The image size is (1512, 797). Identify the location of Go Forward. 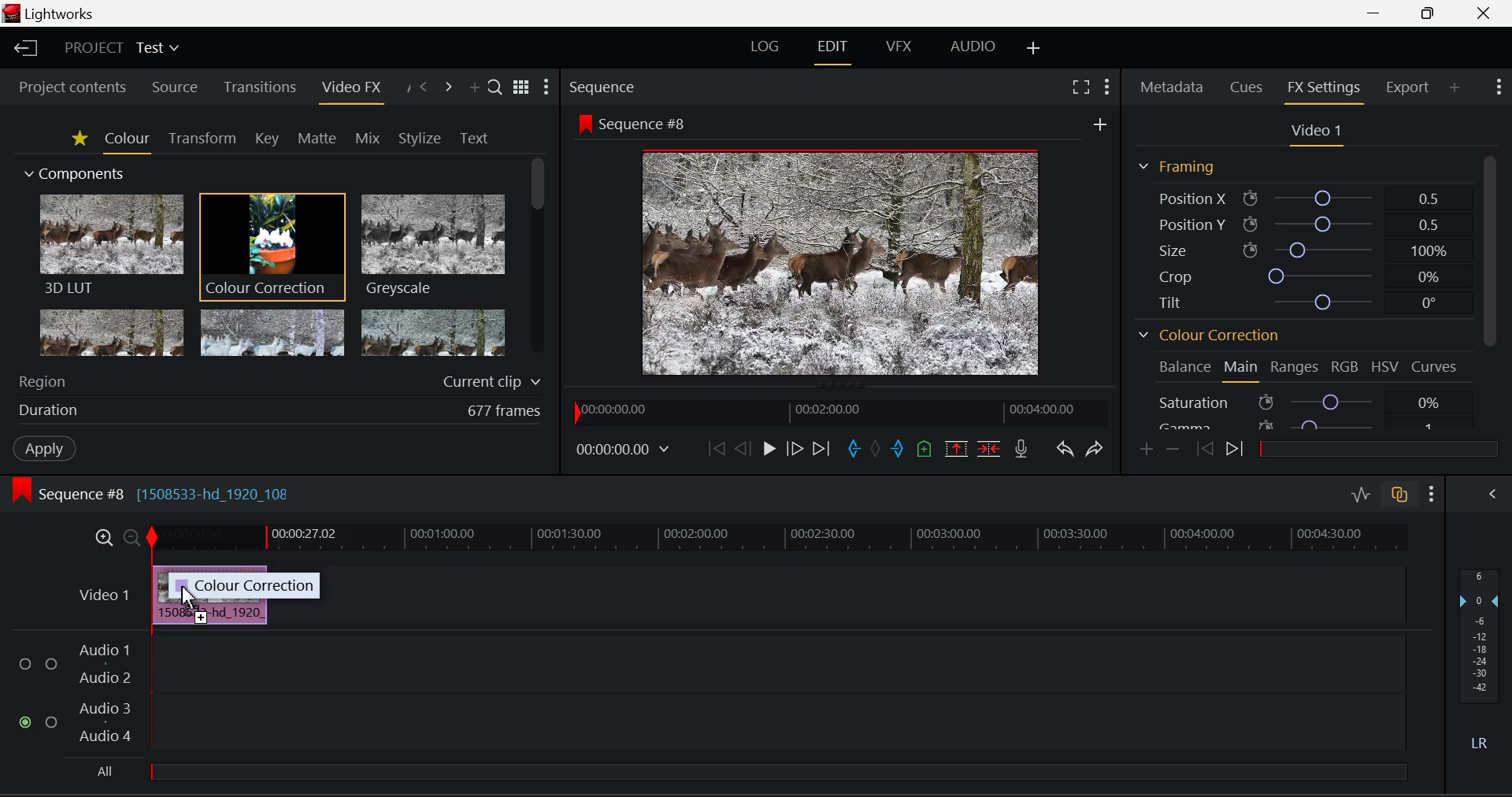
(794, 451).